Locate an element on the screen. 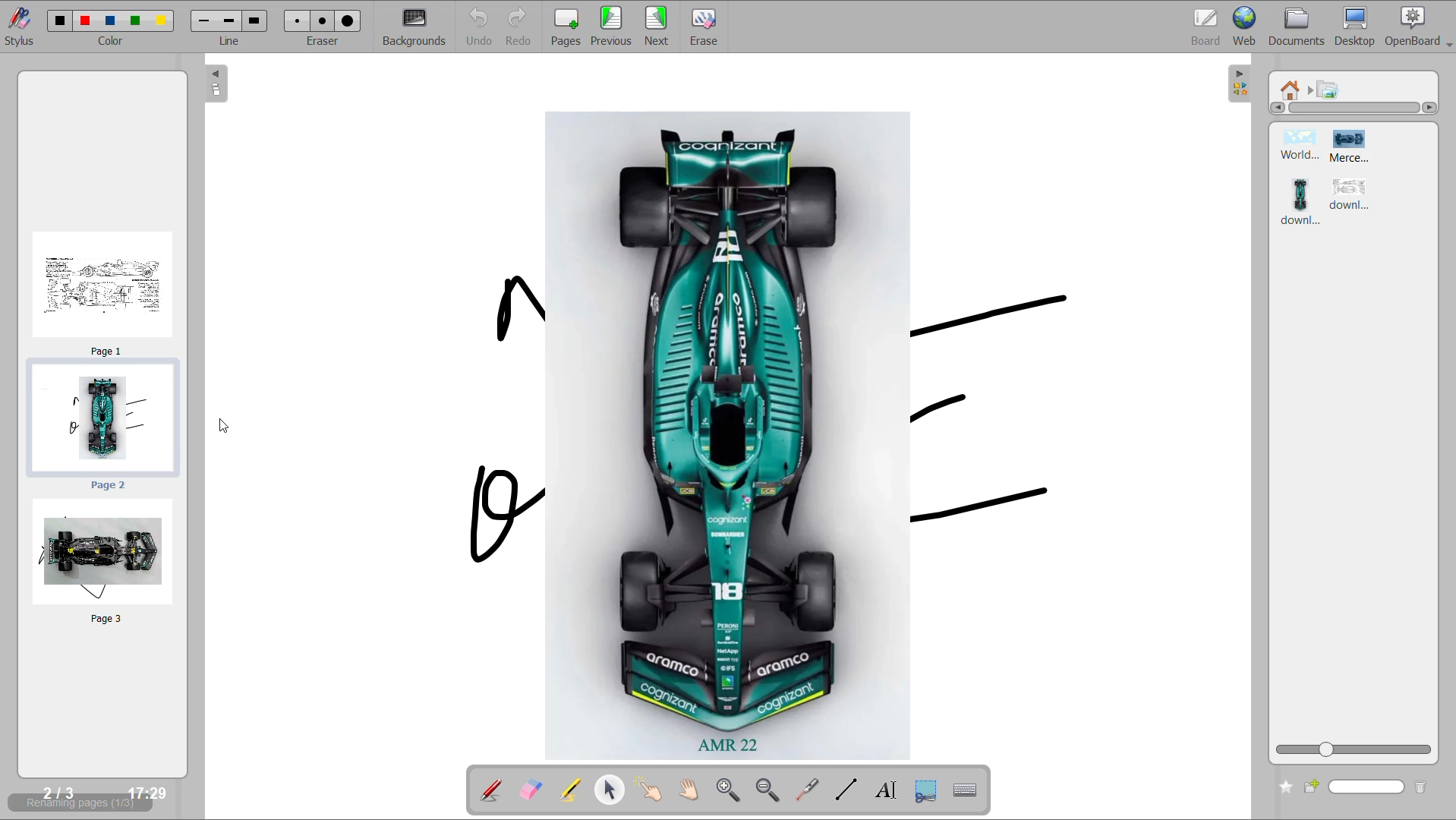 The image size is (1456, 820). interact with items is located at coordinates (651, 790).